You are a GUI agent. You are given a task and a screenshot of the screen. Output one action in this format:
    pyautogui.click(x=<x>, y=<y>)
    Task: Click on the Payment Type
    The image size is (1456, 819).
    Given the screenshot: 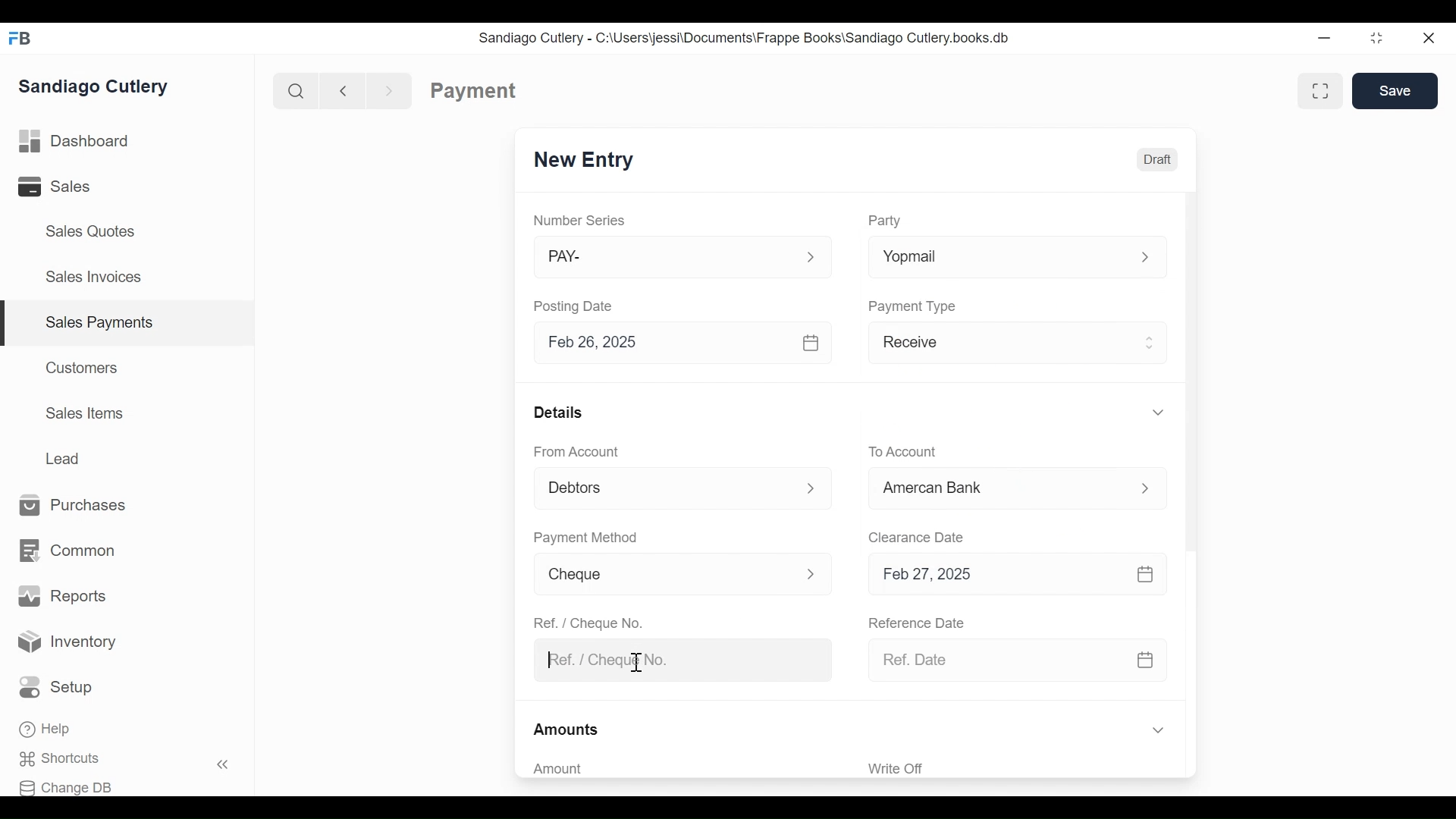 What is the action you would take?
    pyautogui.click(x=913, y=306)
    